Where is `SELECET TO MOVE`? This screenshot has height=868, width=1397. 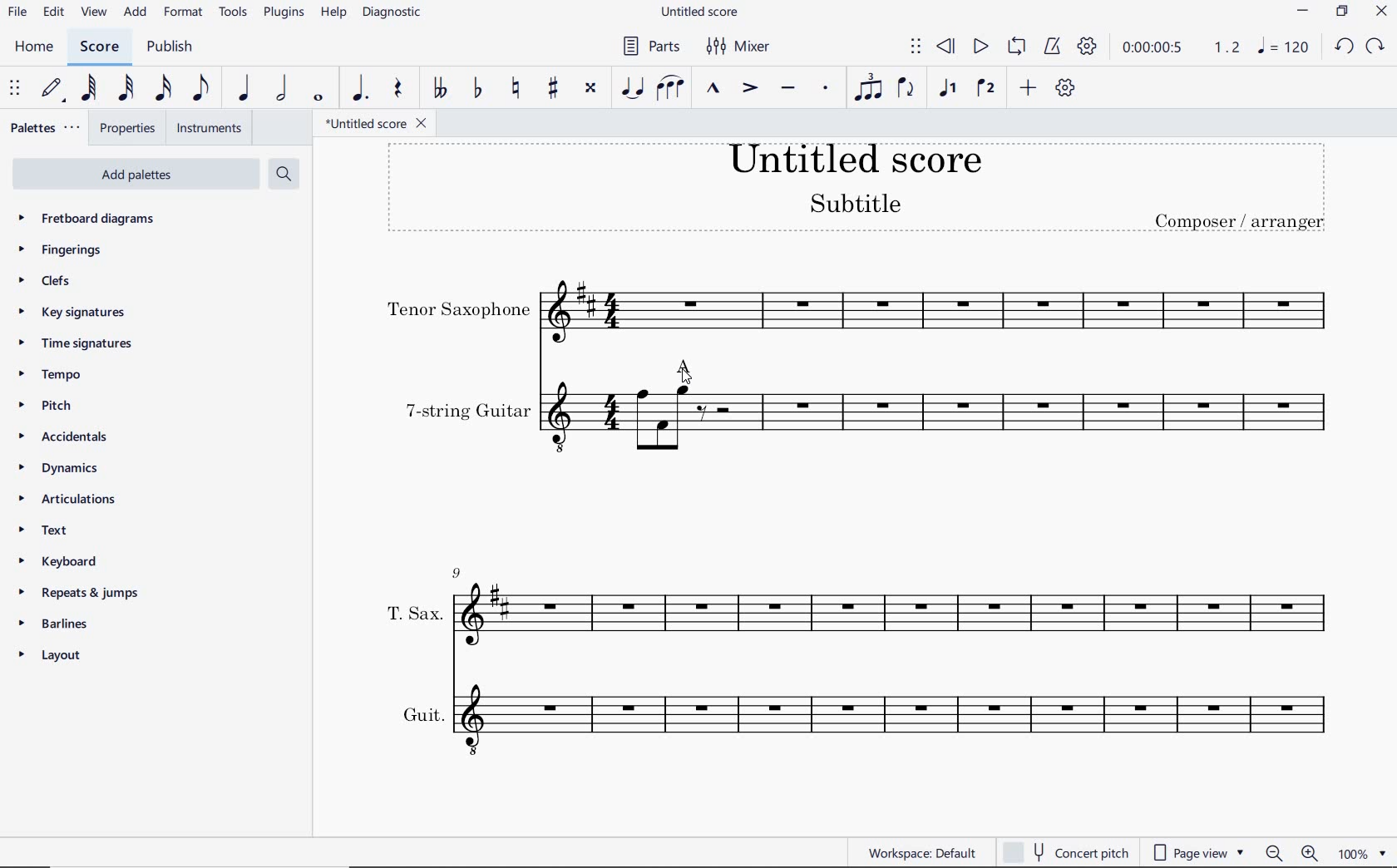 SELECET TO MOVE is located at coordinates (16, 90).